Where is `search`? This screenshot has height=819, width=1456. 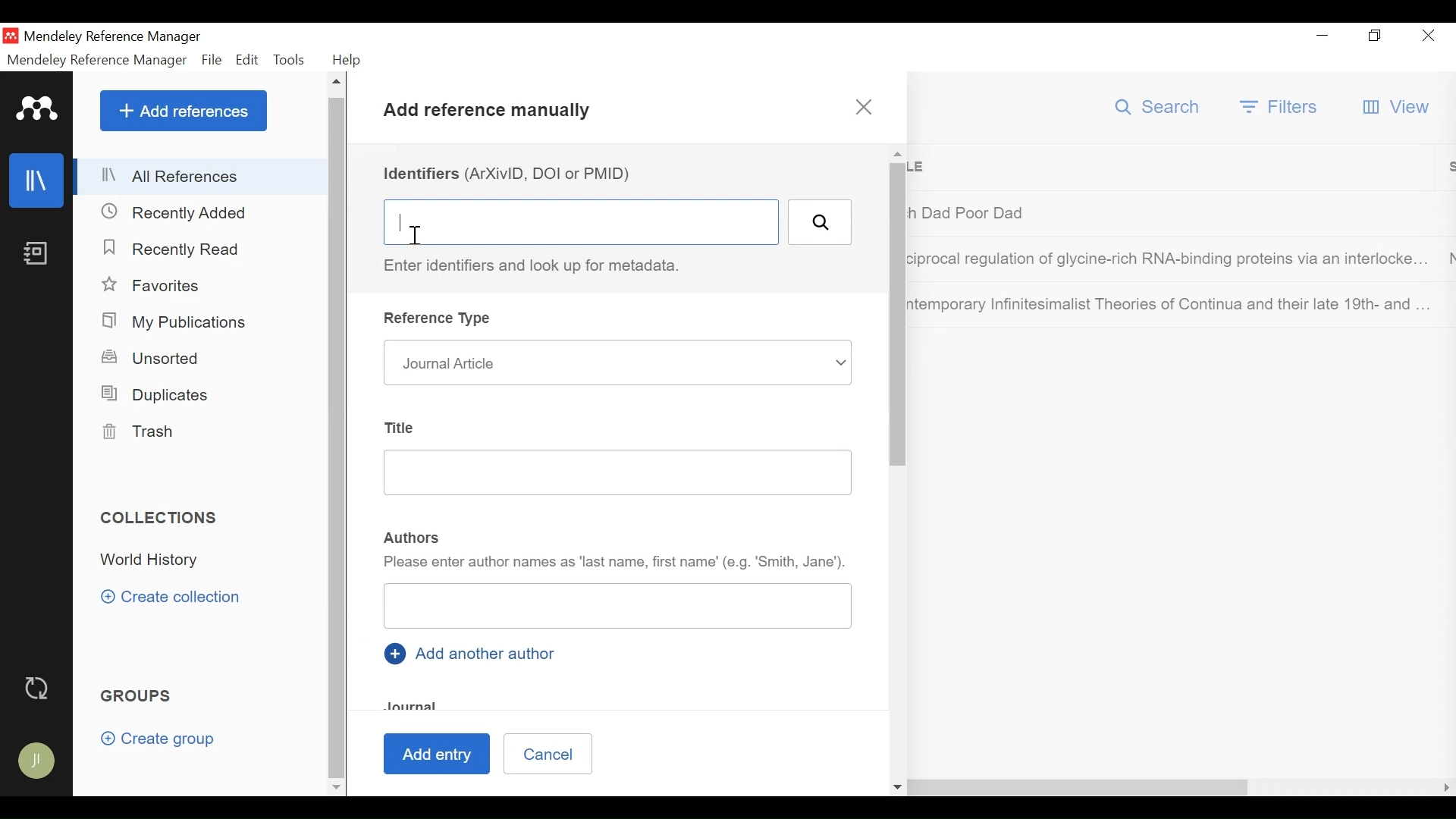
search is located at coordinates (819, 222).